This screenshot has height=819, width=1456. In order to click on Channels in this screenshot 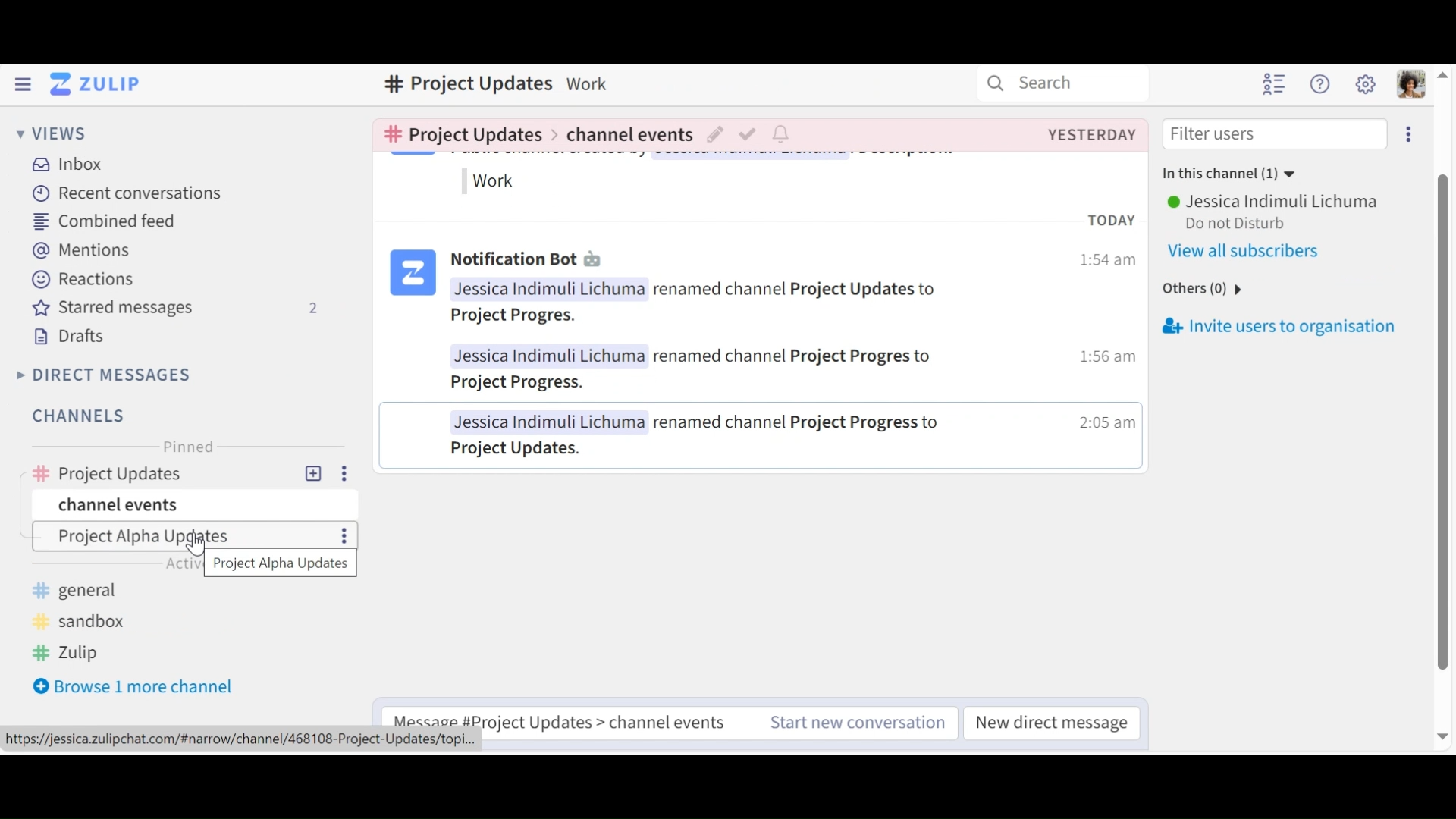, I will do `click(84, 418)`.